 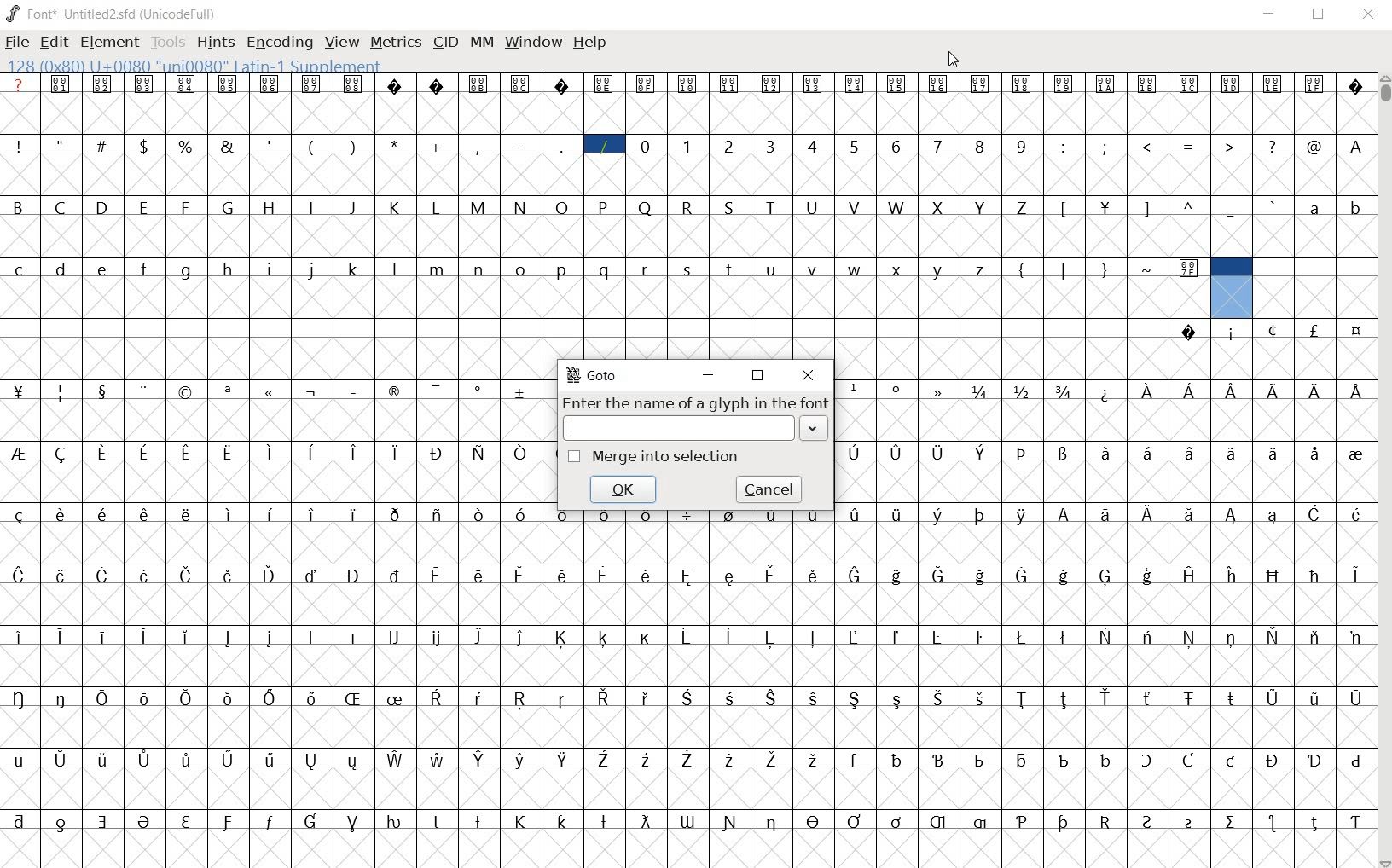 I want to click on Symbol, so click(x=272, y=759).